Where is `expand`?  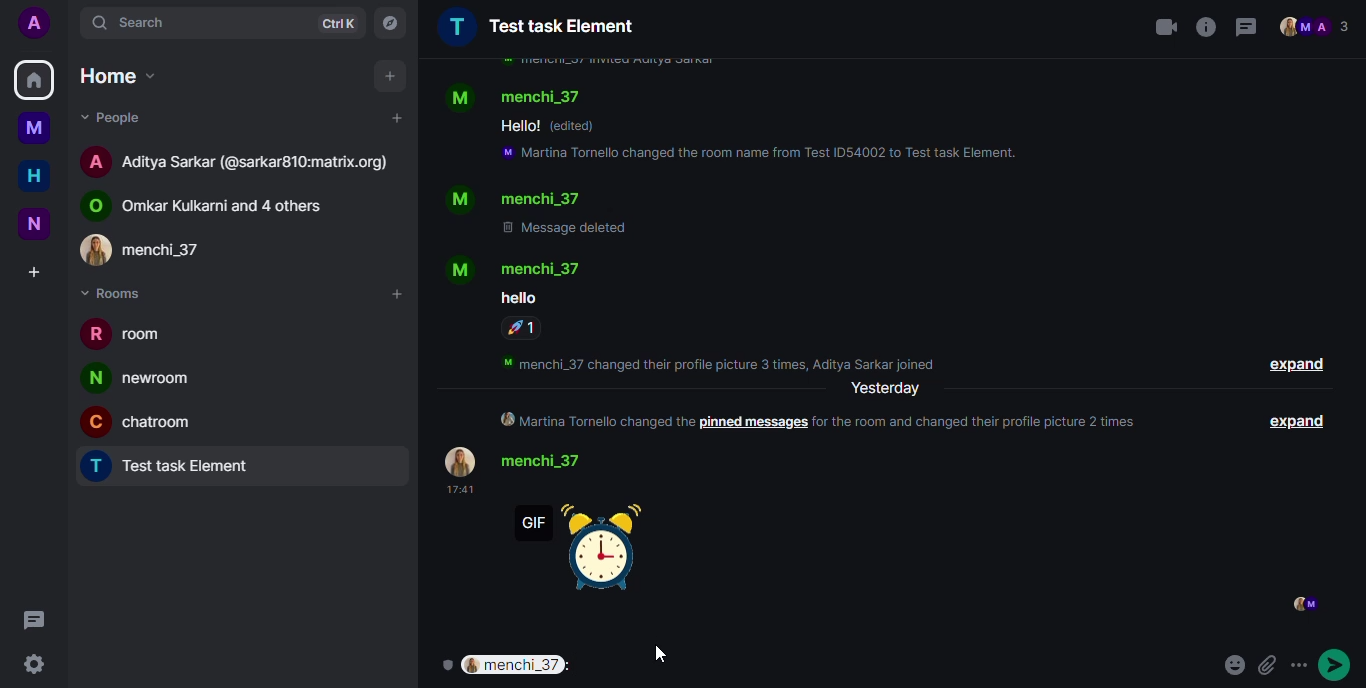 expand is located at coordinates (1301, 421).